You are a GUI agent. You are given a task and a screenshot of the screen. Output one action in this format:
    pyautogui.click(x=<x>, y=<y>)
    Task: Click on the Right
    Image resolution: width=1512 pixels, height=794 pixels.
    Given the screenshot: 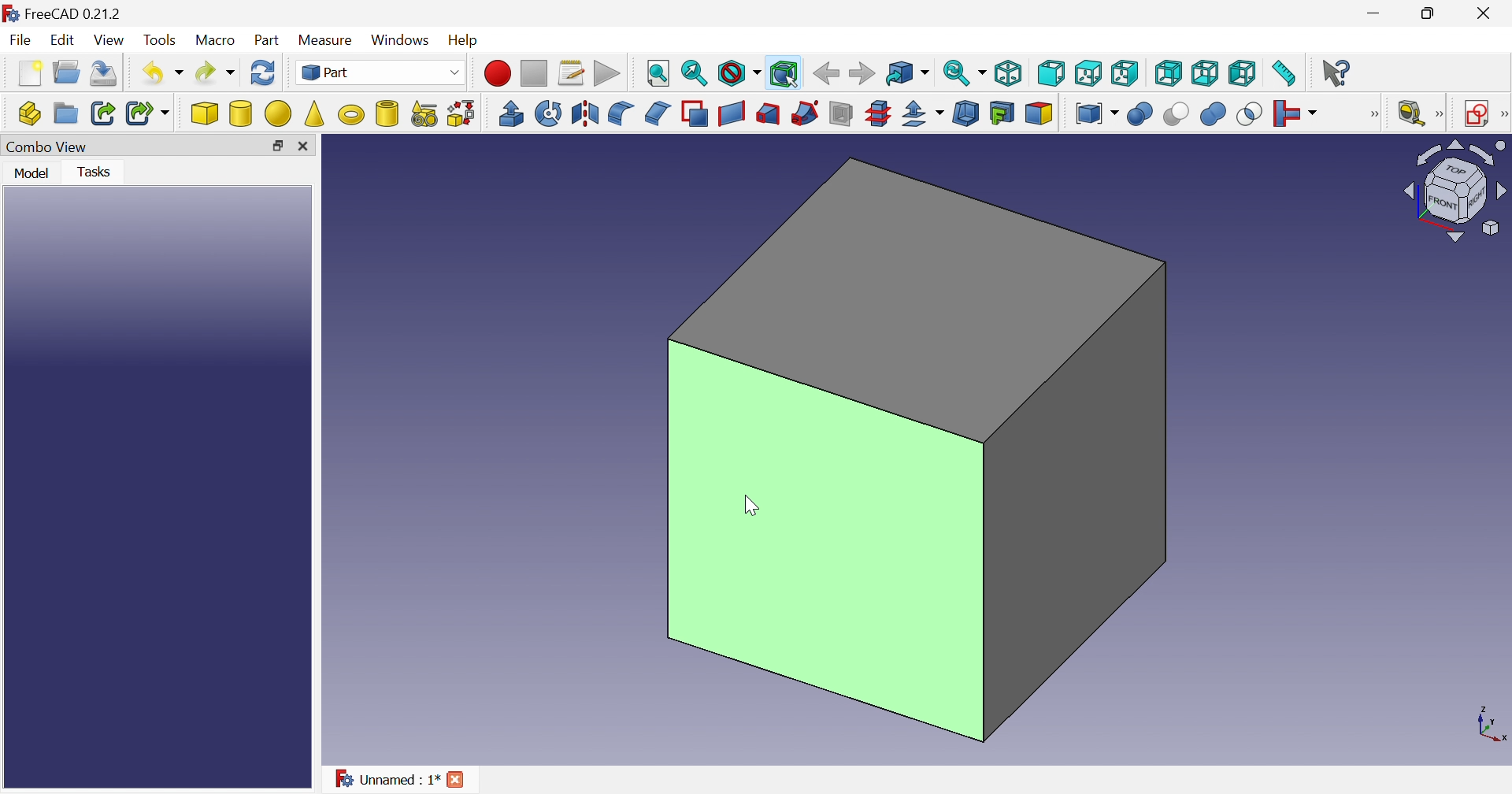 What is the action you would take?
    pyautogui.click(x=1125, y=73)
    